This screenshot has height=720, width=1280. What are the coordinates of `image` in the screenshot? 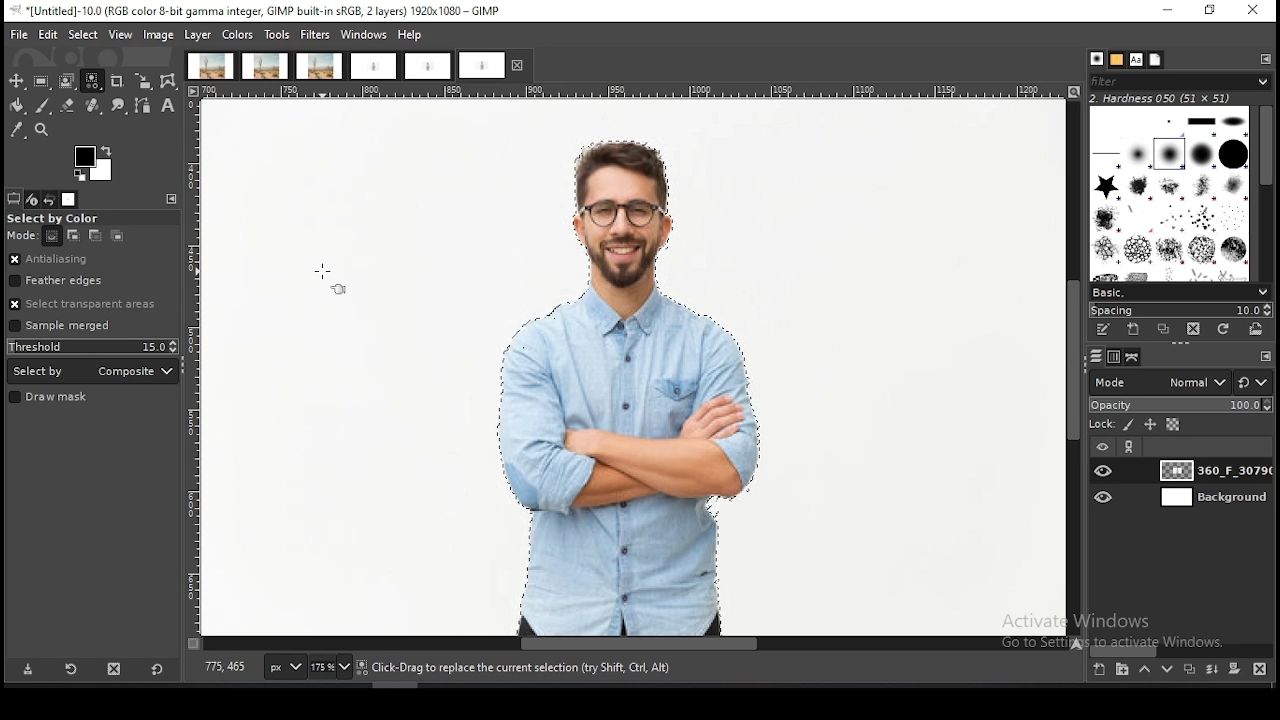 It's located at (623, 369).